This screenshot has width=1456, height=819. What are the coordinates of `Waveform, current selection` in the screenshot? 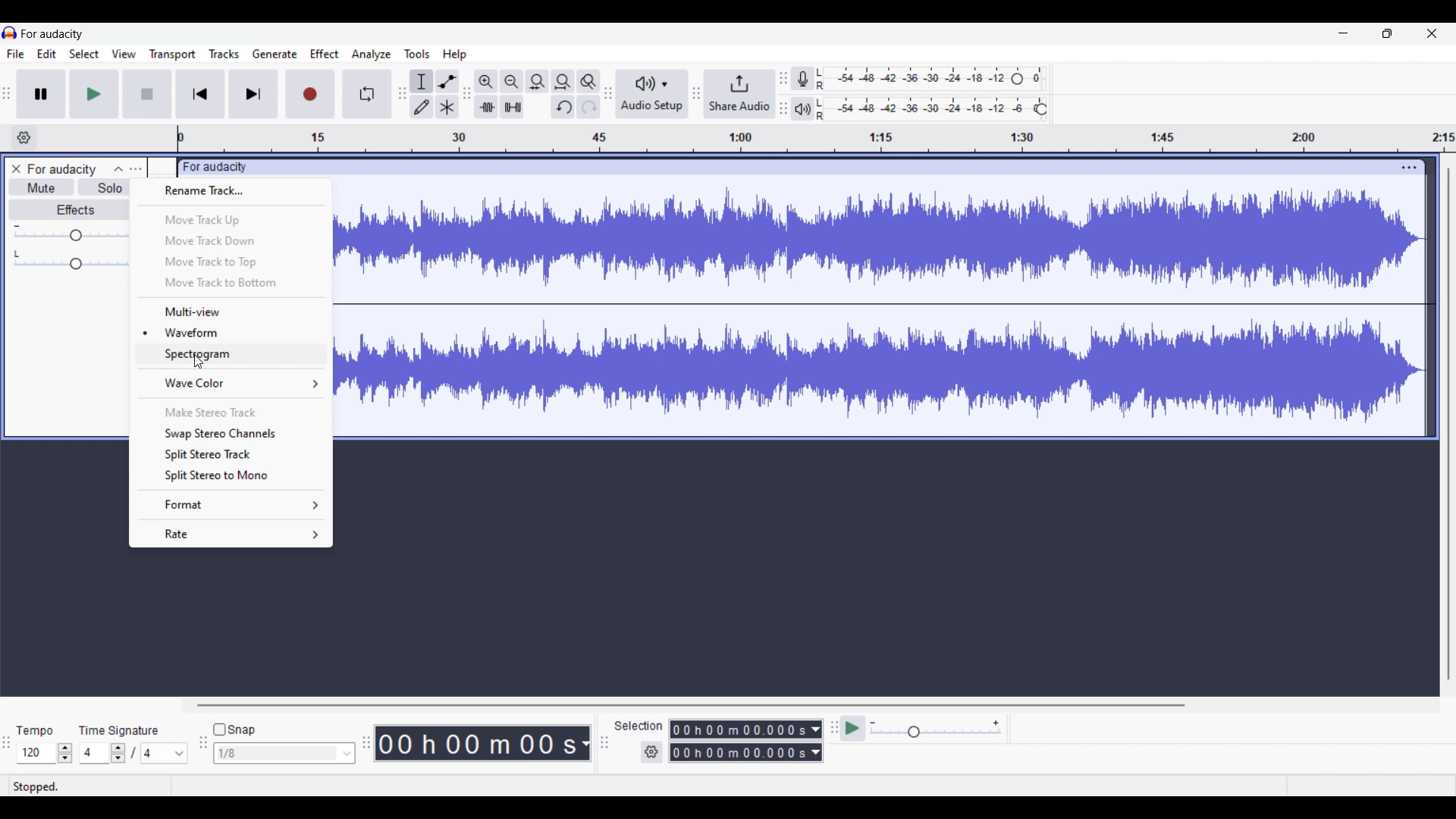 It's located at (231, 331).